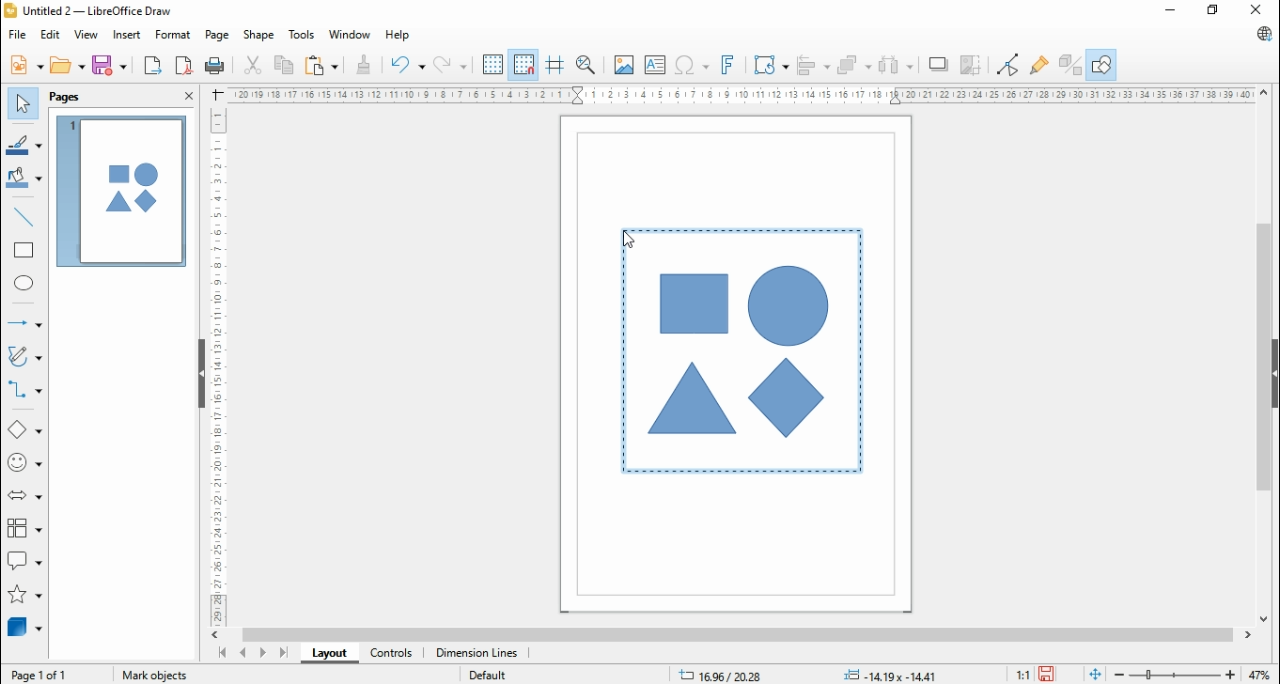  I want to click on show gluepoint function, so click(1037, 65).